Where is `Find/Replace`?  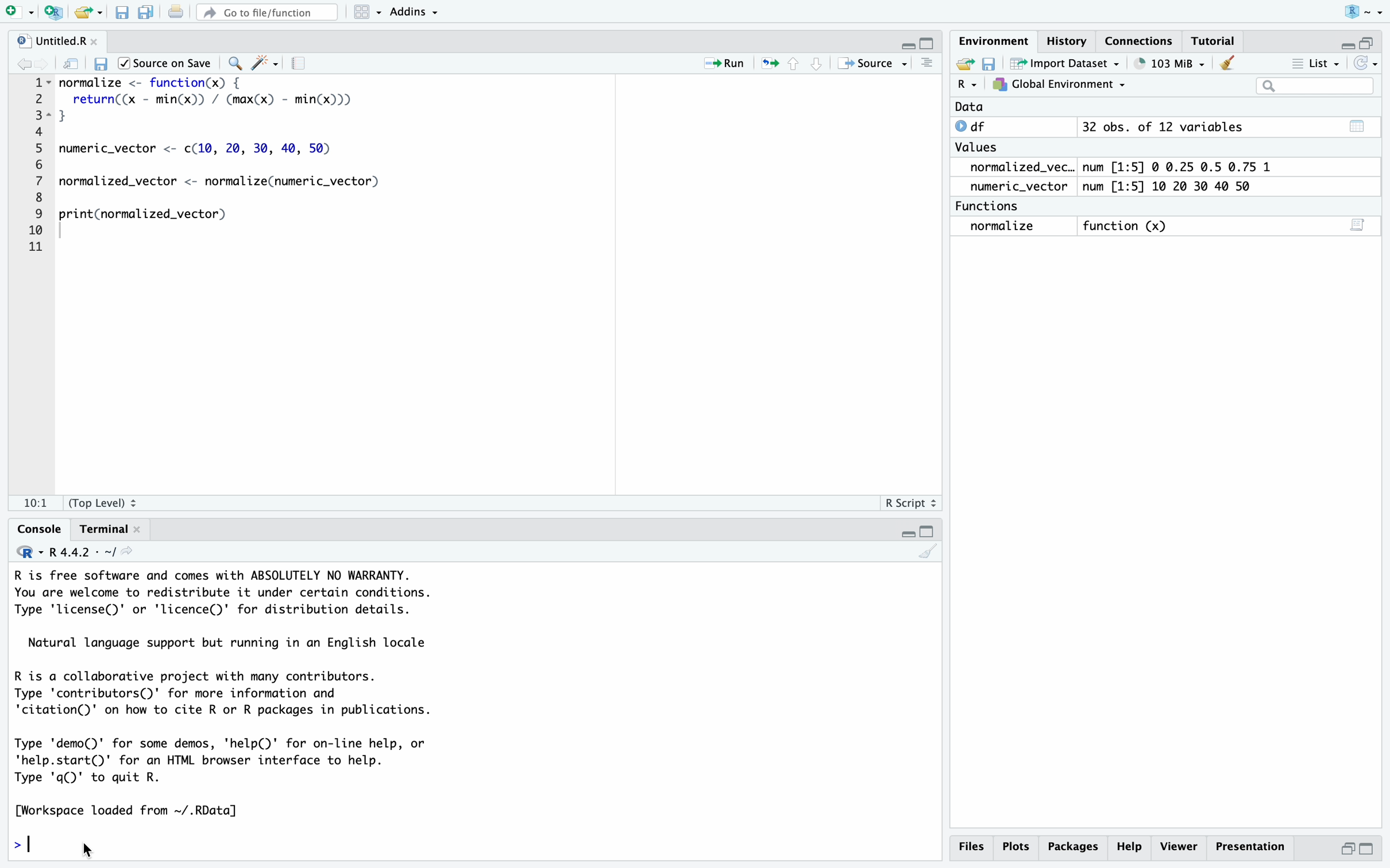 Find/Replace is located at coordinates (235, 60).